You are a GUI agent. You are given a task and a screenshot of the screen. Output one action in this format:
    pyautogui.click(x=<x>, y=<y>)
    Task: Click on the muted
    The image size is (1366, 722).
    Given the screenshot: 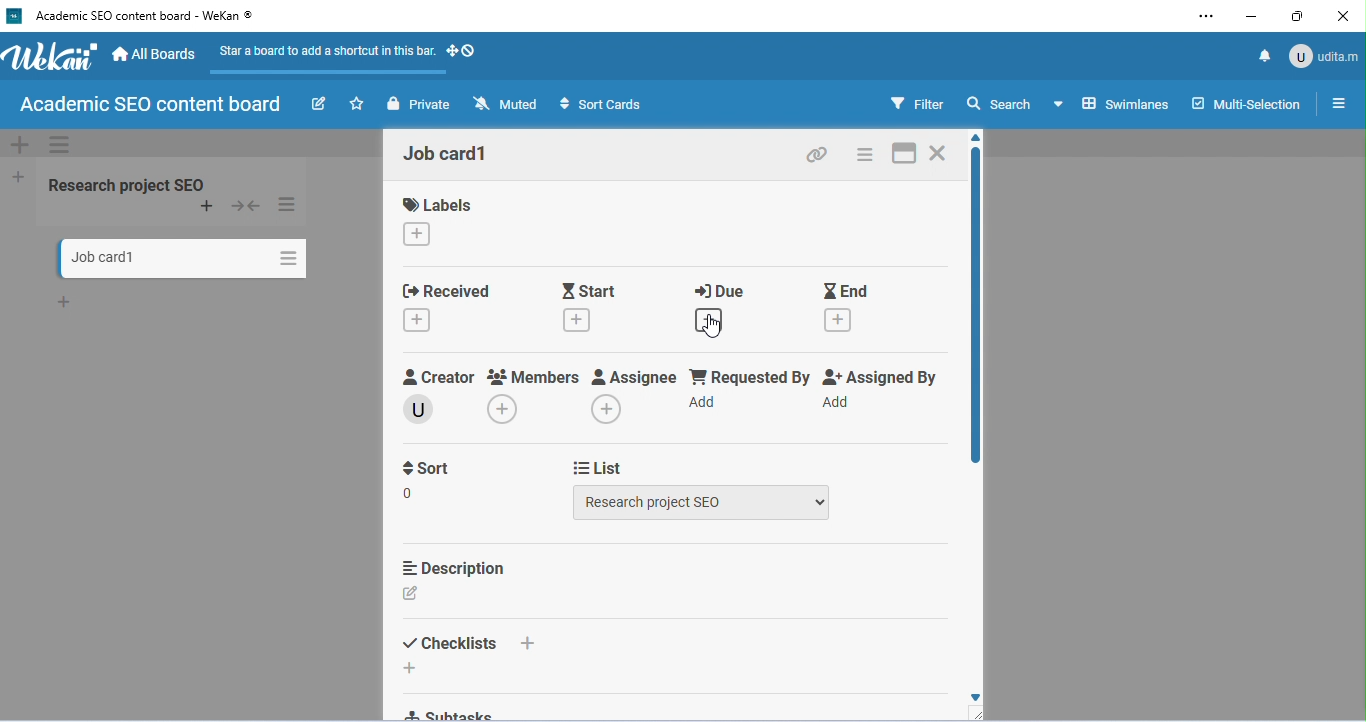 What is the action you would take?
    pyautogui.click(x=507, y=104)
    